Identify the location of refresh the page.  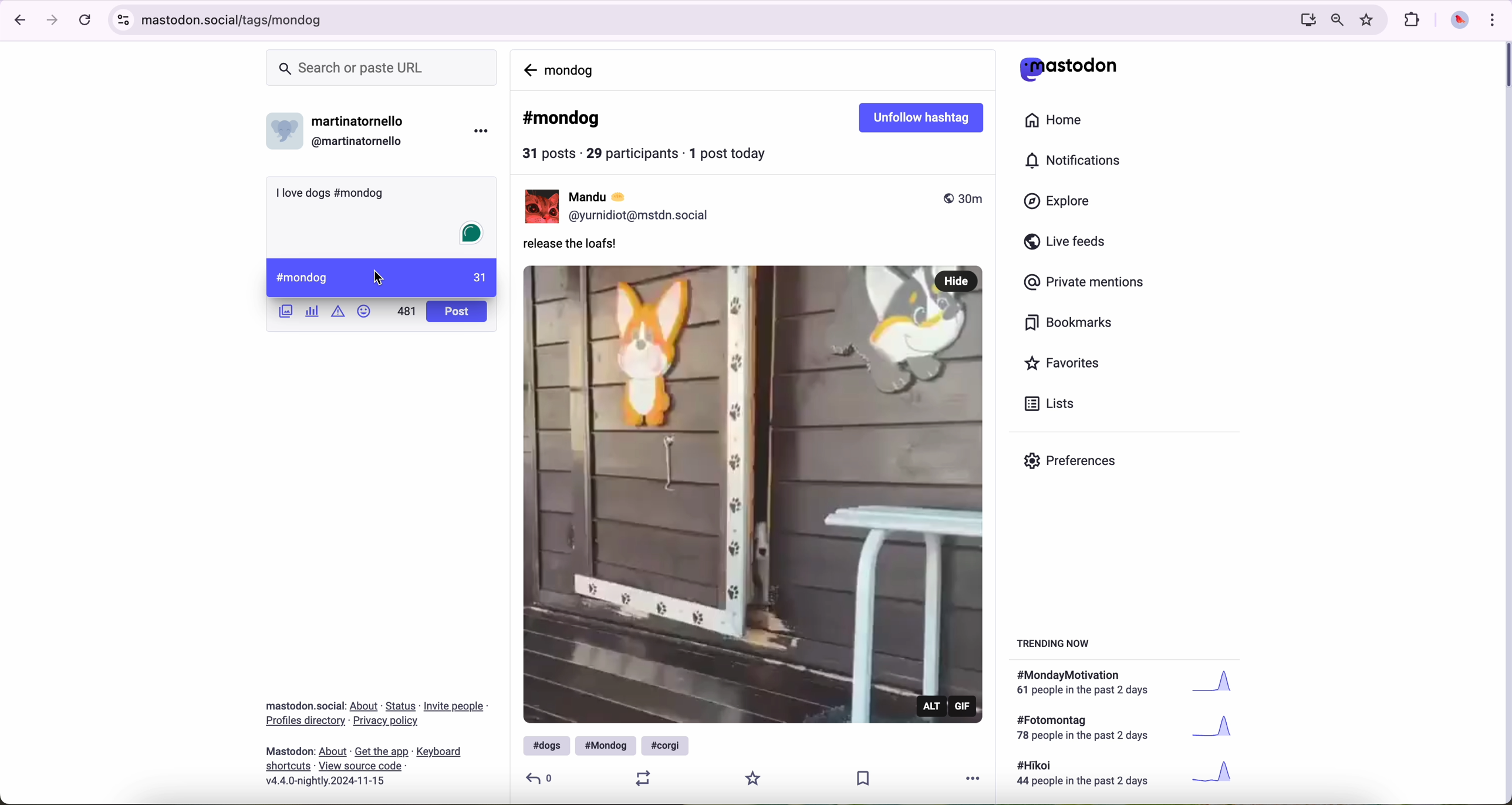
(85, 21).